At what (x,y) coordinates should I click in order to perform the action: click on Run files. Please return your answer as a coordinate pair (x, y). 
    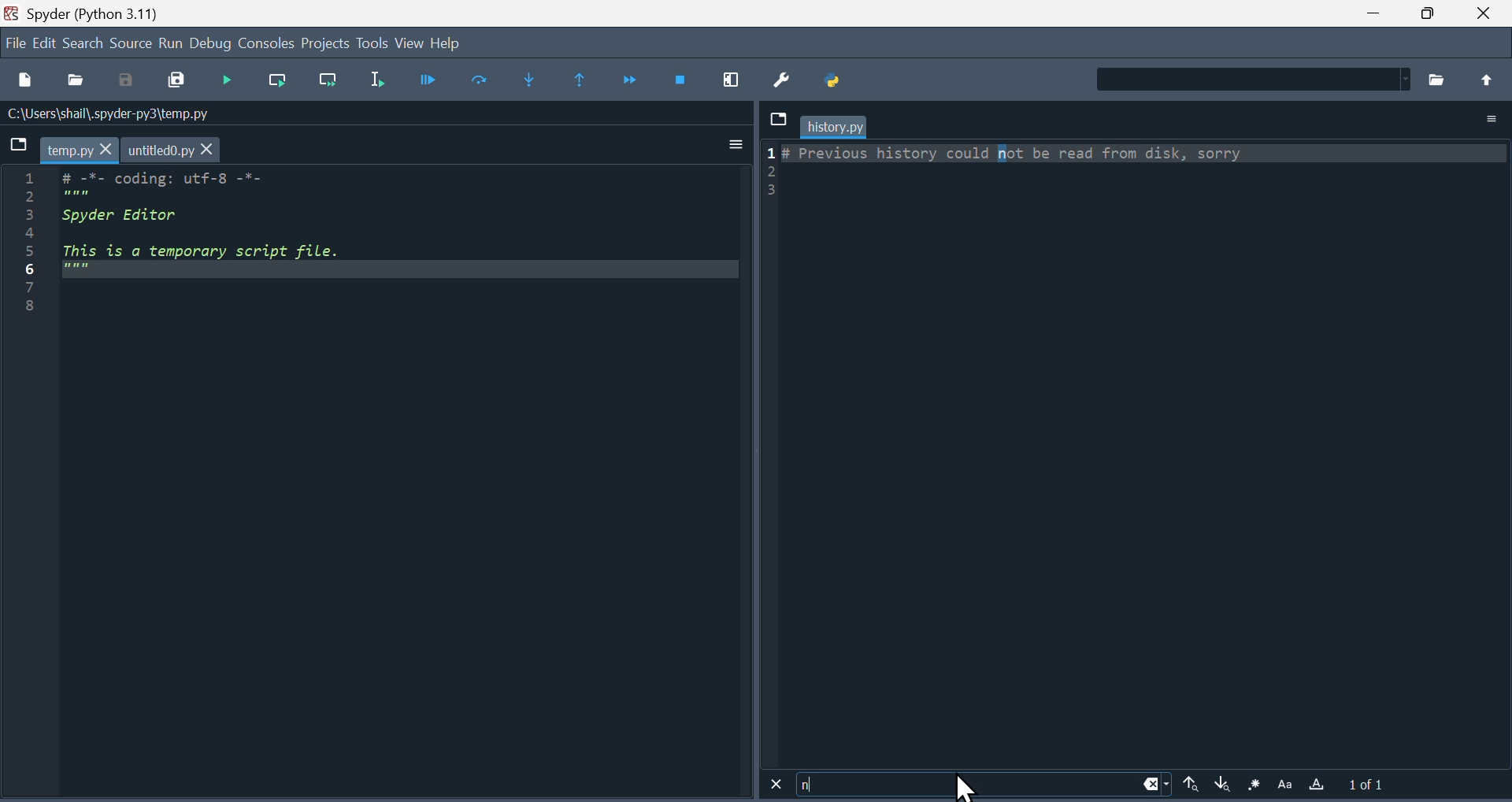
    Looking at the image, I should click on (232, 80).